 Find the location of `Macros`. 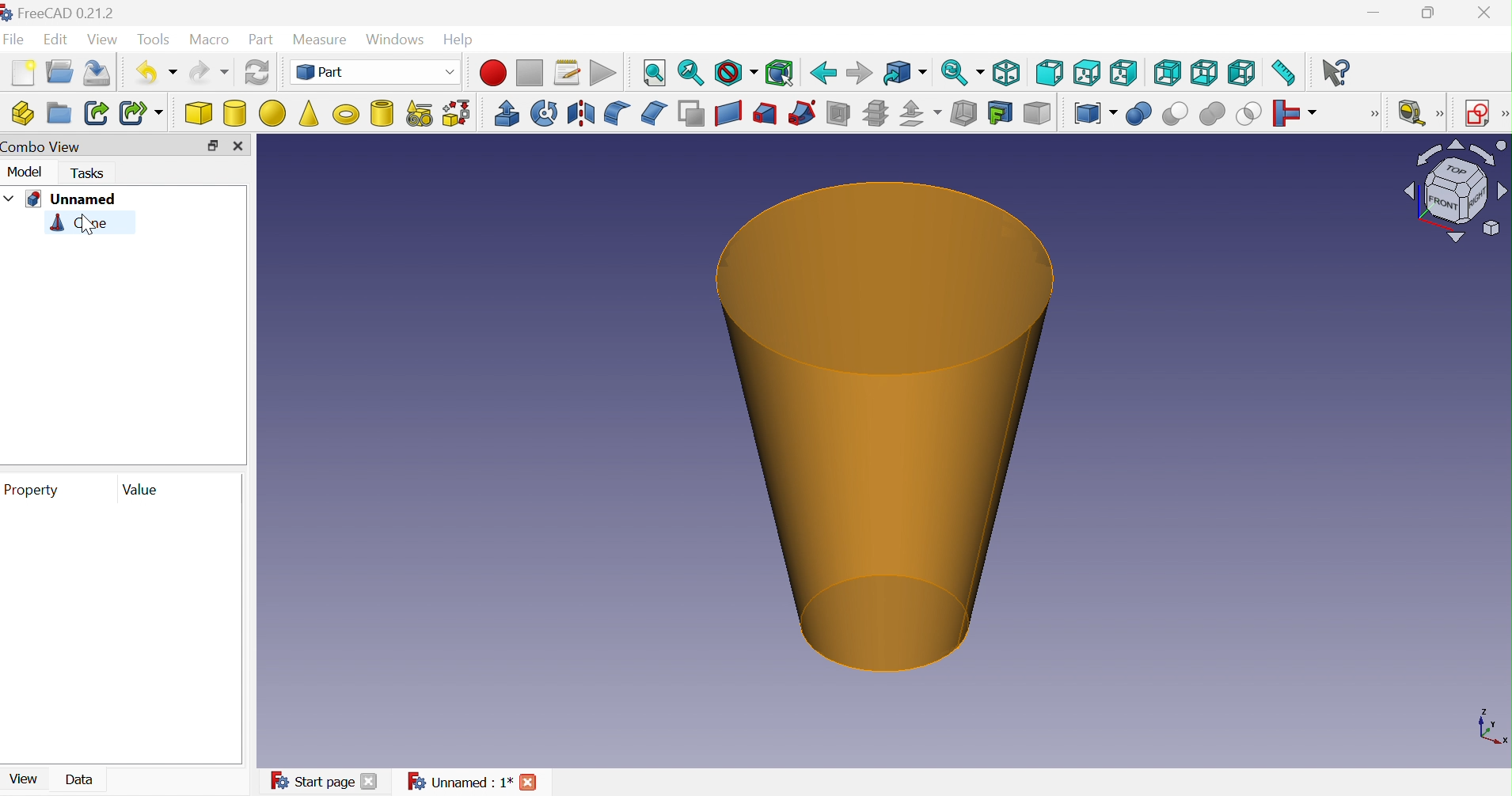

Macros is located at coordinates (568, 73).